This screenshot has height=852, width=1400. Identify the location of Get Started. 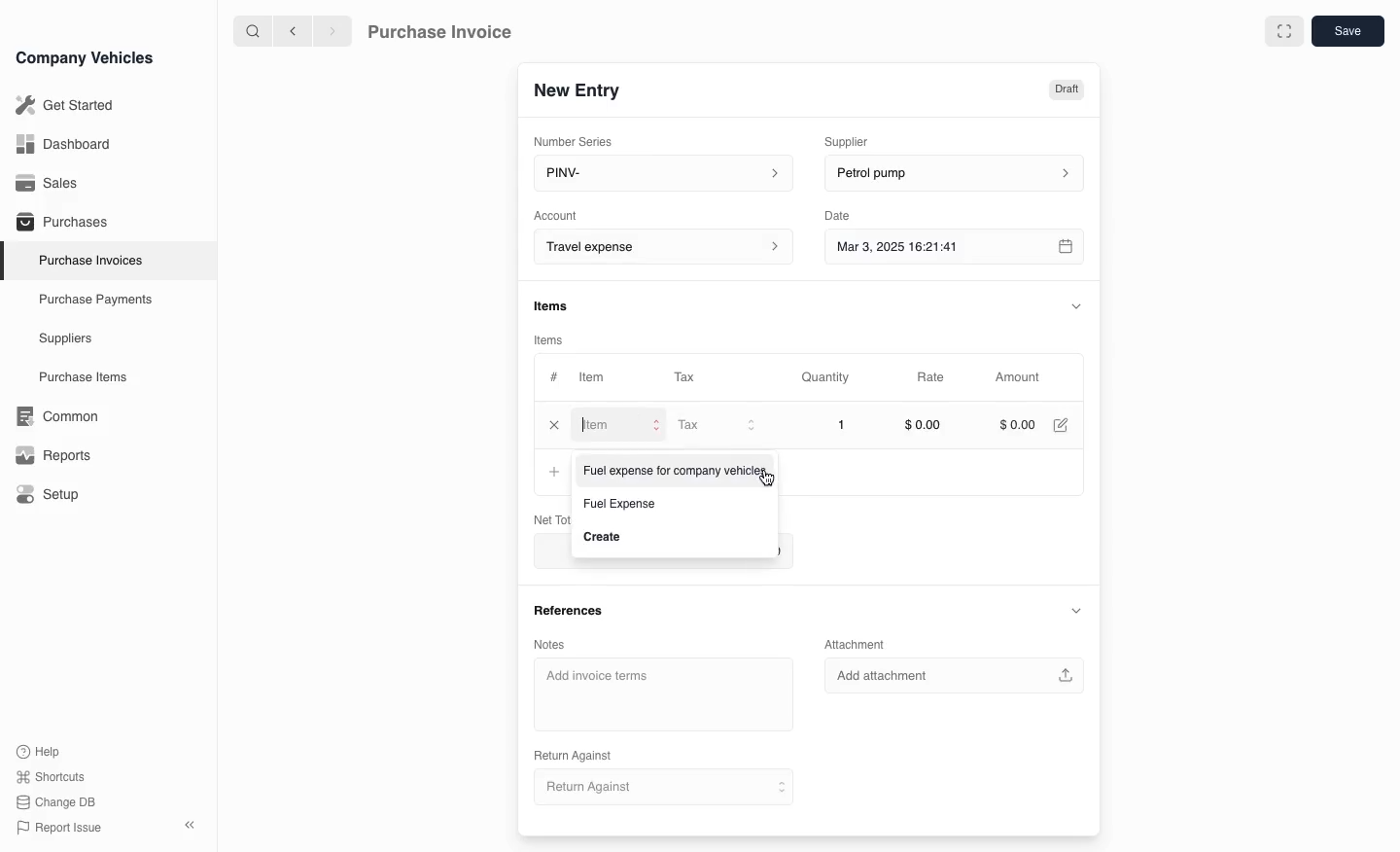
(61, 105).